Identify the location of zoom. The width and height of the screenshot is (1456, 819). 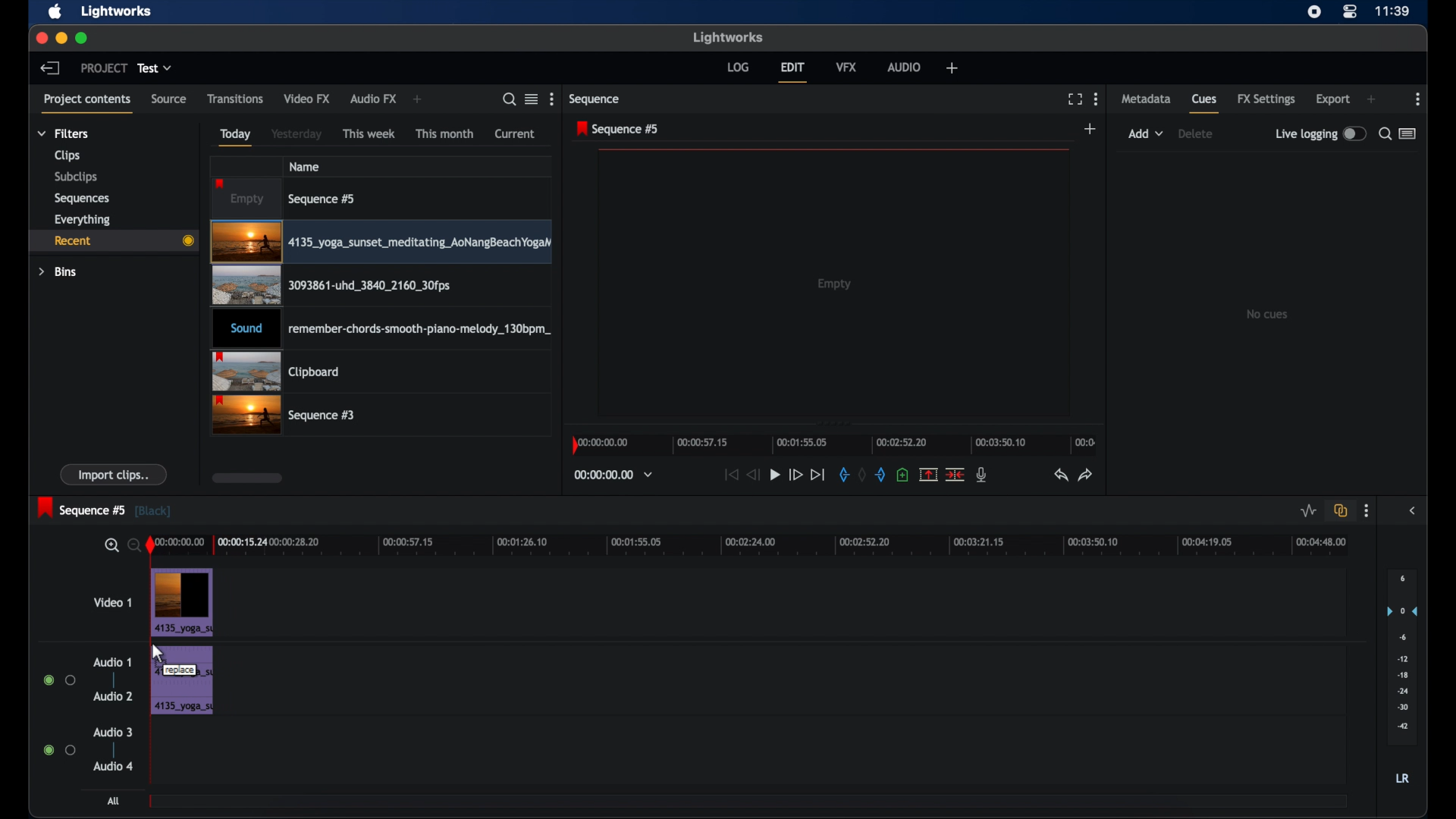
(120, 546).